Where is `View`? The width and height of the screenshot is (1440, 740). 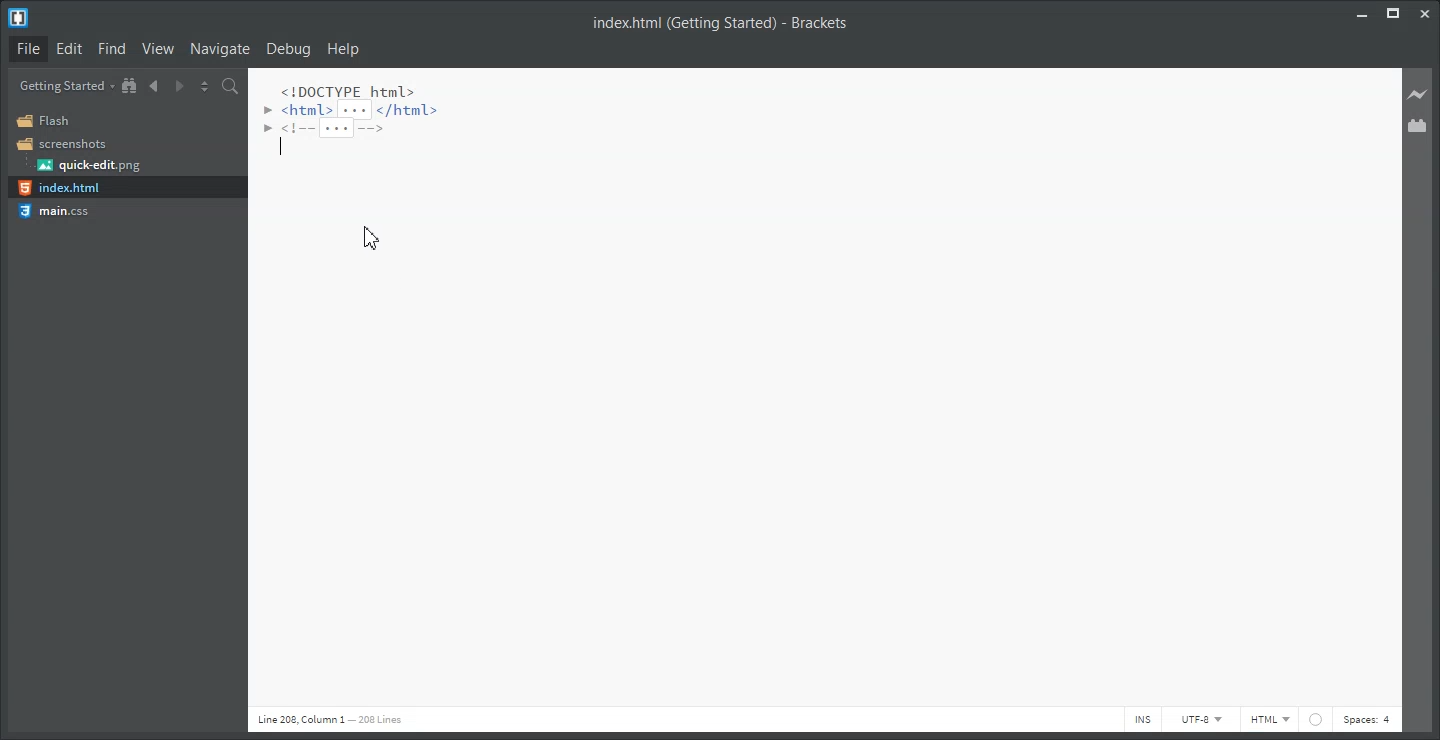
View is located at coordinates (158, 48).